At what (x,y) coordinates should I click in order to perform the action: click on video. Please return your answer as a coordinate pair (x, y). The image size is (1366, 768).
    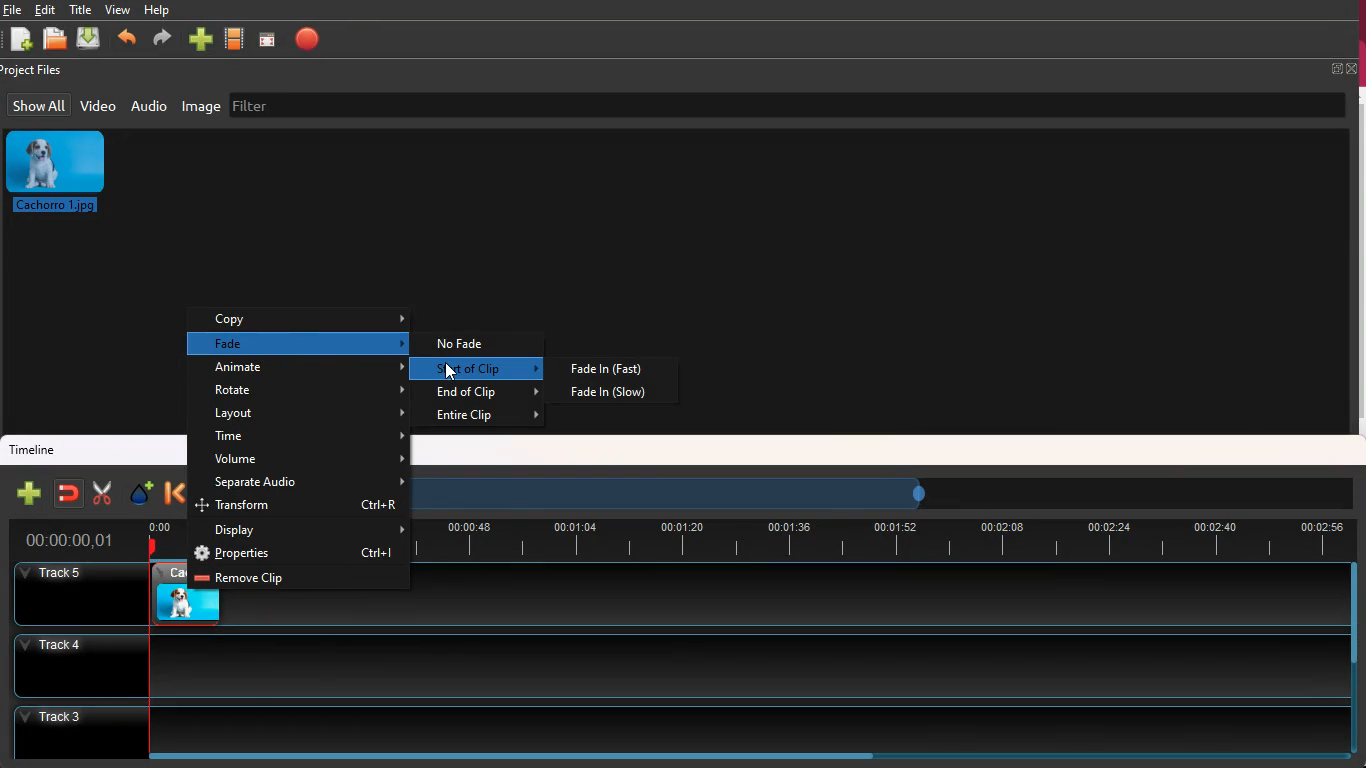
    Looking at the image, I should click on (168, 592).